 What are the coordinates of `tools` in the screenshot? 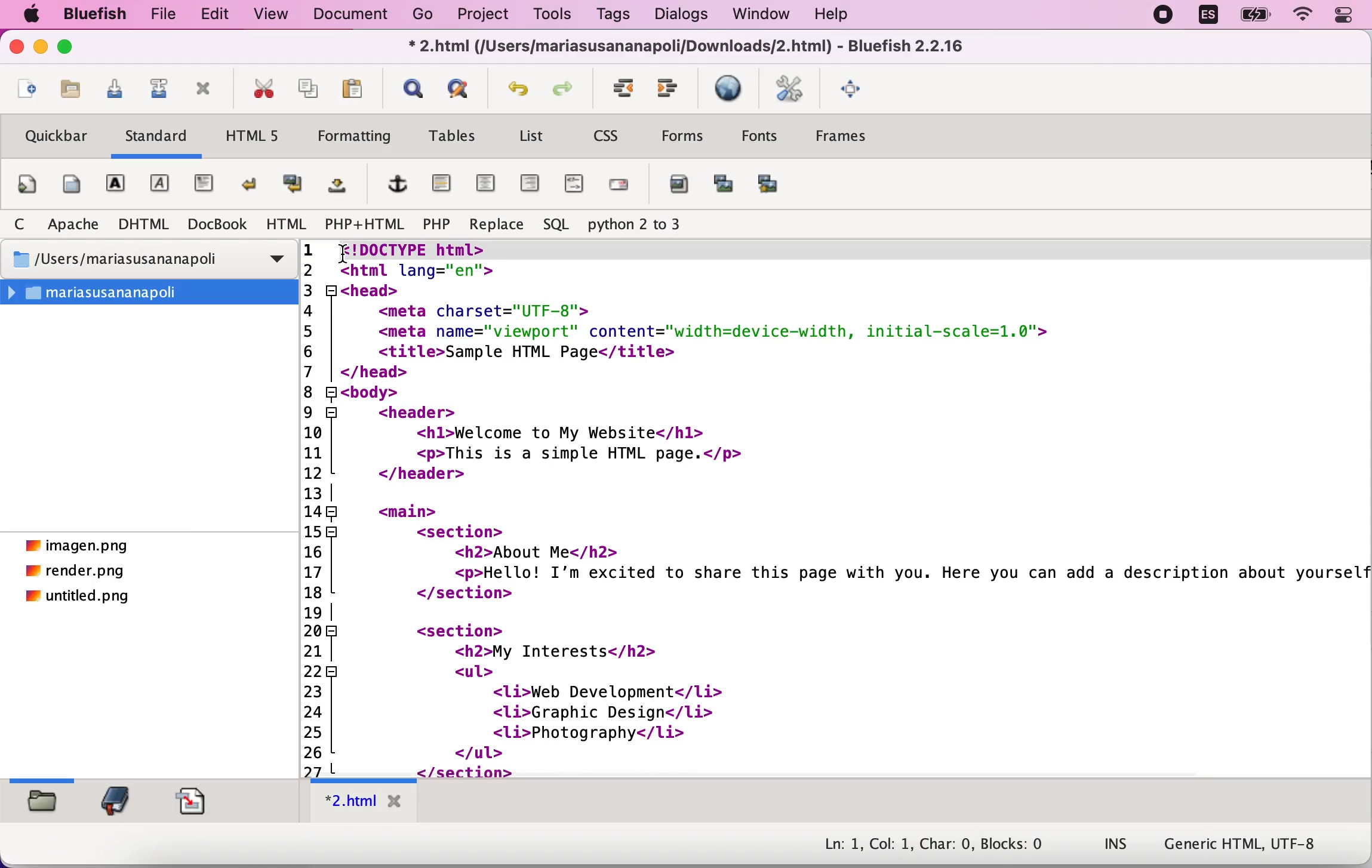 It's located at (556, 13).